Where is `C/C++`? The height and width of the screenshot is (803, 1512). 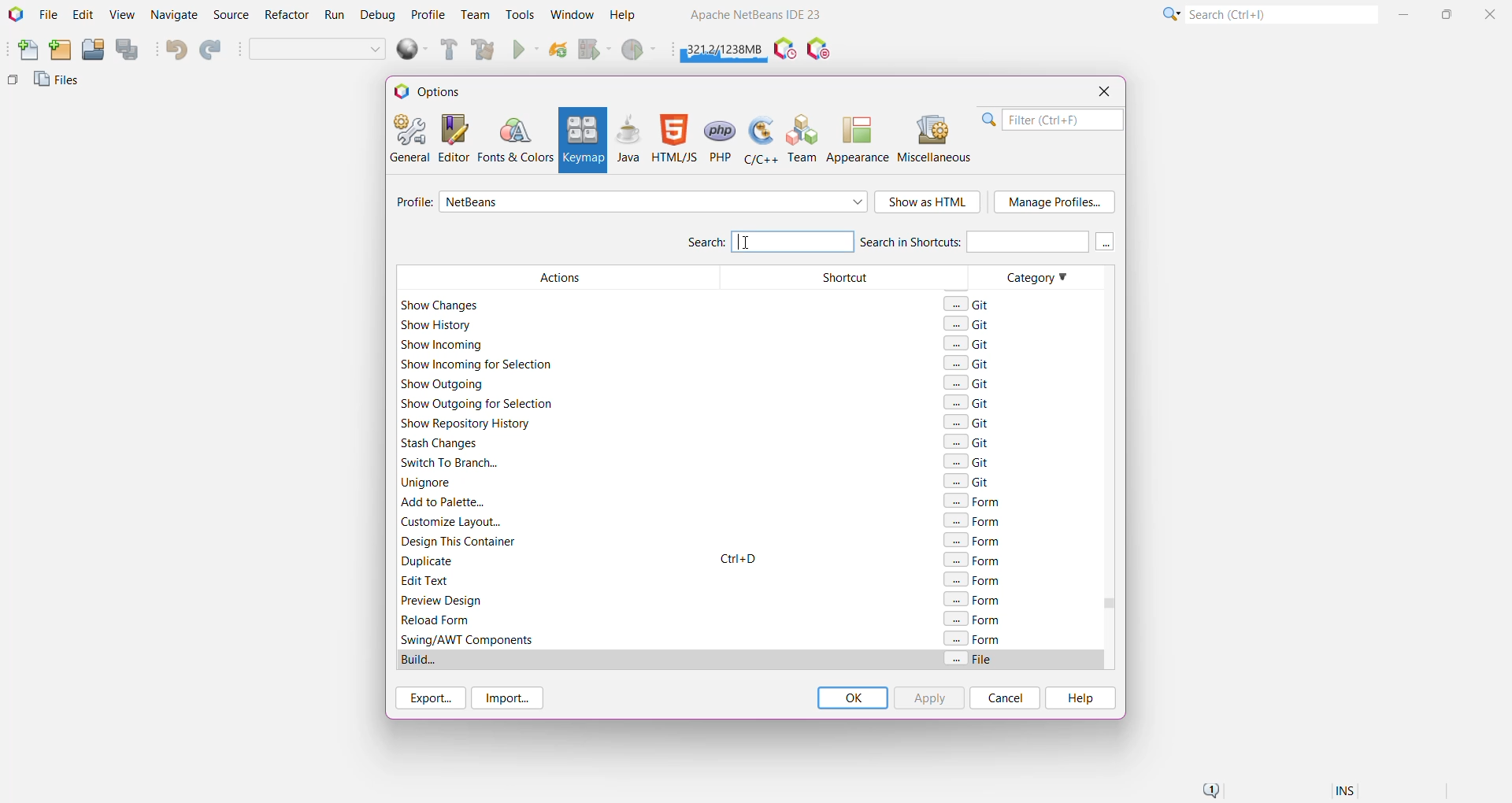
C/C++ is located at coordinates (759, 139).